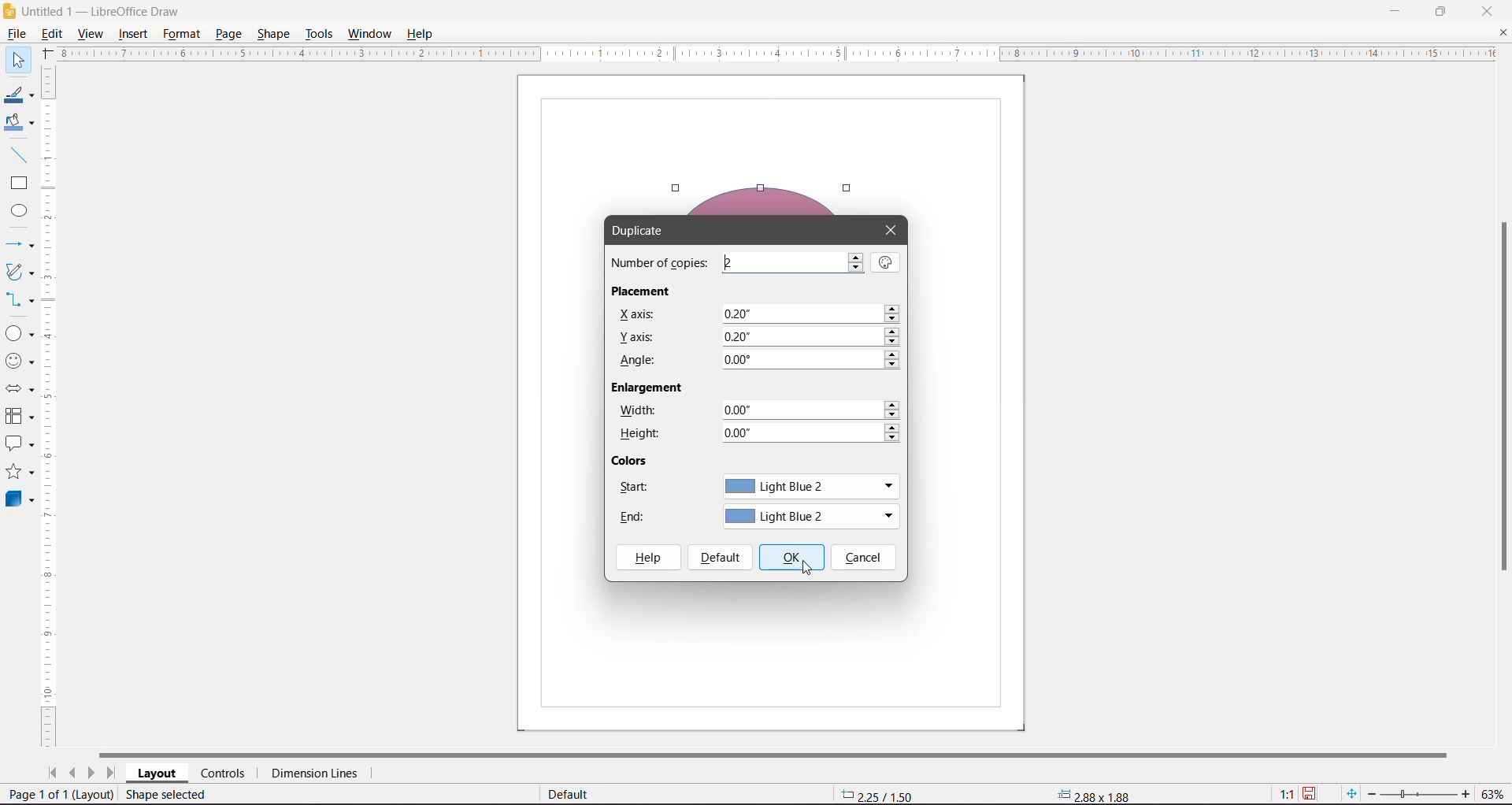 The width and height of the screenshot is (1512, 805). I want to click on Close, so click(1487, 11).